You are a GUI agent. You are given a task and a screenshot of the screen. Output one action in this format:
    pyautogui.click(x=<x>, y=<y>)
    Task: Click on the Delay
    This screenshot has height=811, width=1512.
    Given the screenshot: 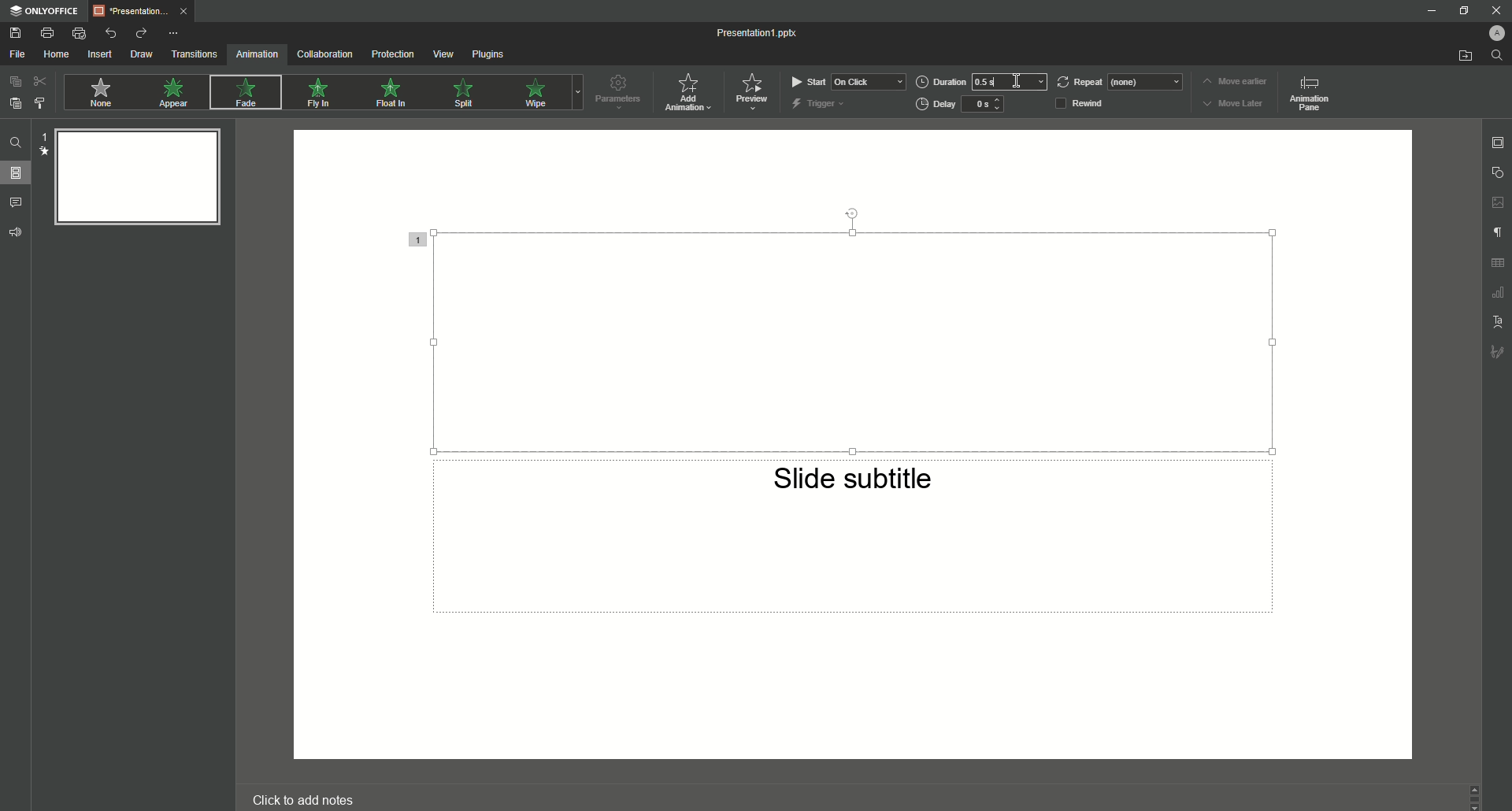 What is the action you would take?
    pyautogui.click(x=962, y=105)
    